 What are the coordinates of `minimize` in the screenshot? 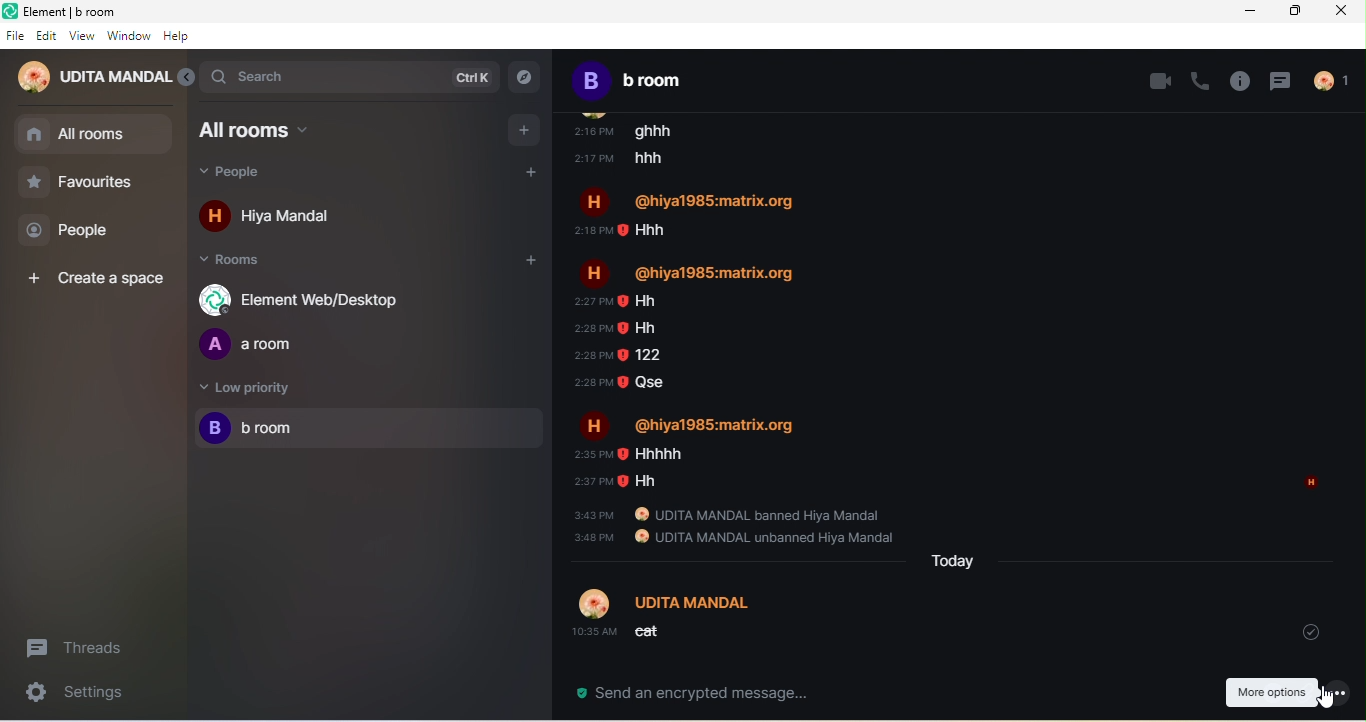 It's located at (1245, 15).